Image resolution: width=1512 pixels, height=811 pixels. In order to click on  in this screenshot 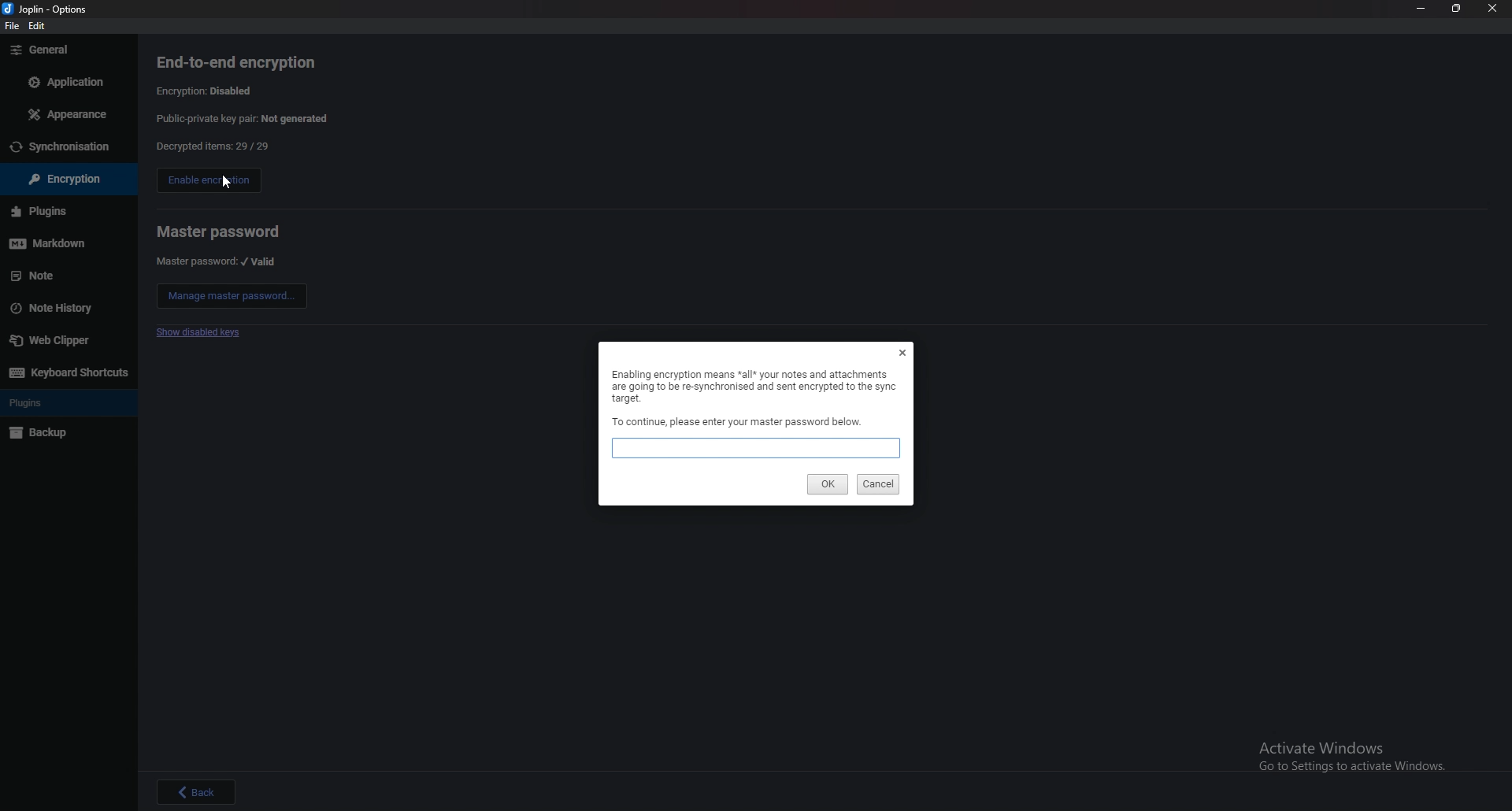, I will do `click(30, 276)`.